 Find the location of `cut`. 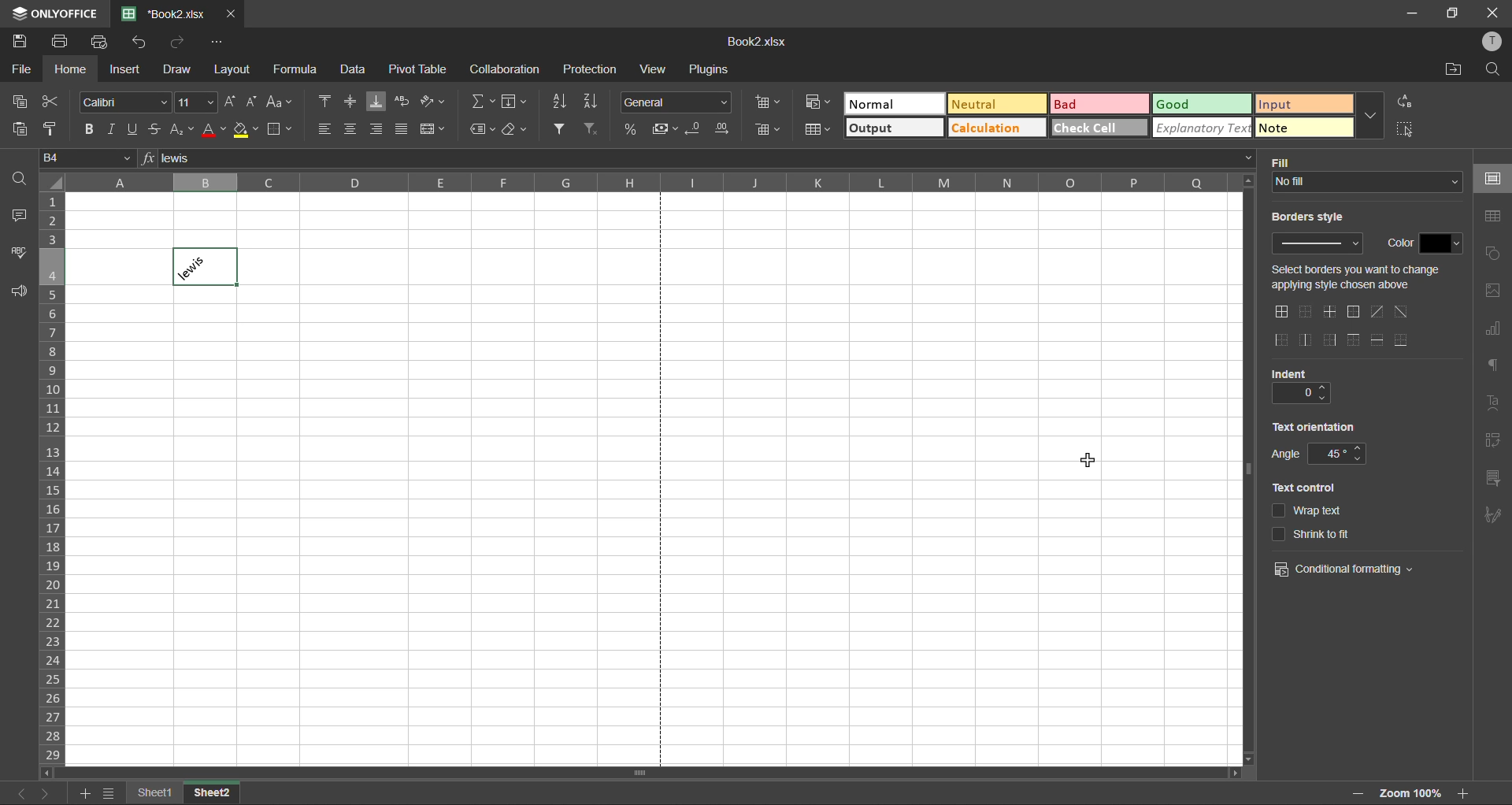

cut is located at coordinates (53, 103).